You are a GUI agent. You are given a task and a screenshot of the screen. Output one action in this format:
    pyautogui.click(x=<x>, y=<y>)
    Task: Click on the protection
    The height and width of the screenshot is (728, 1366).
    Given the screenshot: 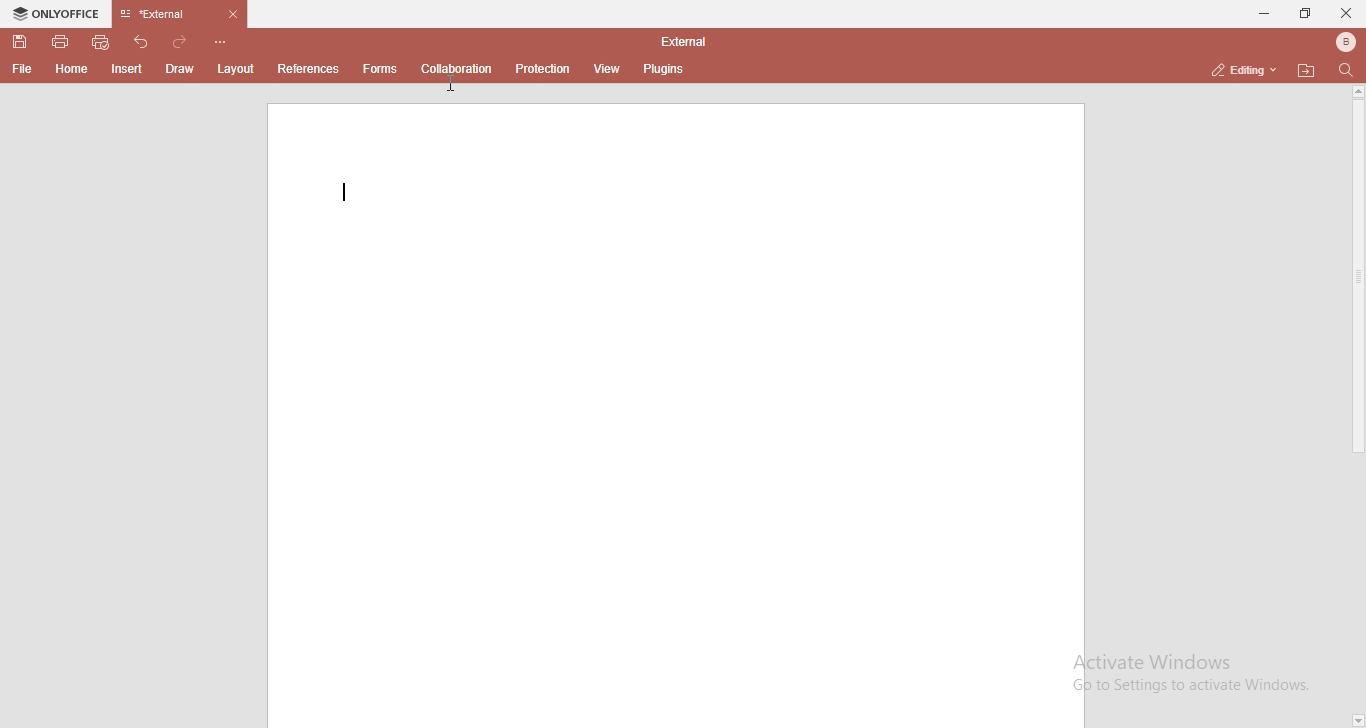 What is the action you would take?
    pyautogui.click(x=544, y=68)
    